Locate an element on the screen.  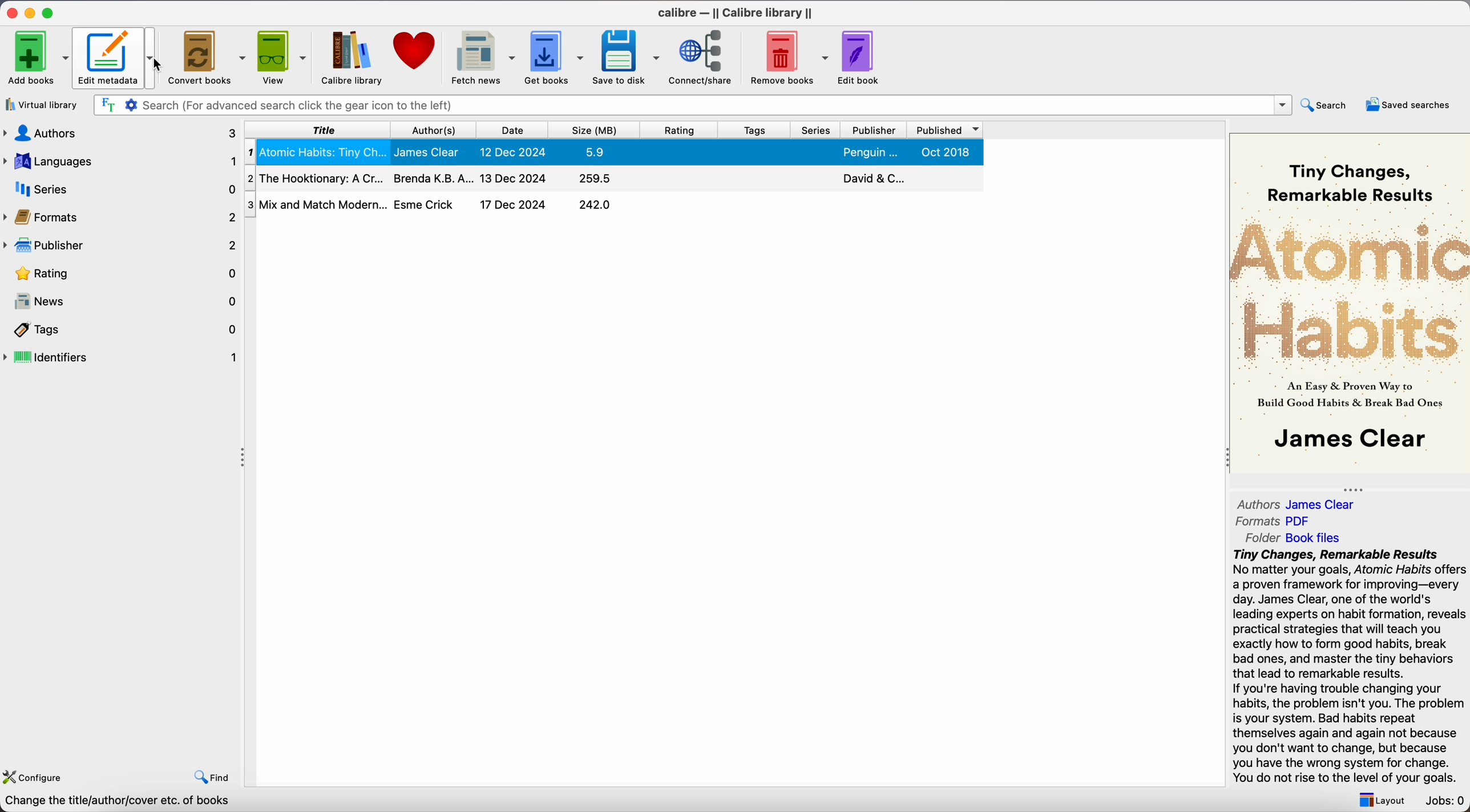
authors is located at coordinates (122, 132).